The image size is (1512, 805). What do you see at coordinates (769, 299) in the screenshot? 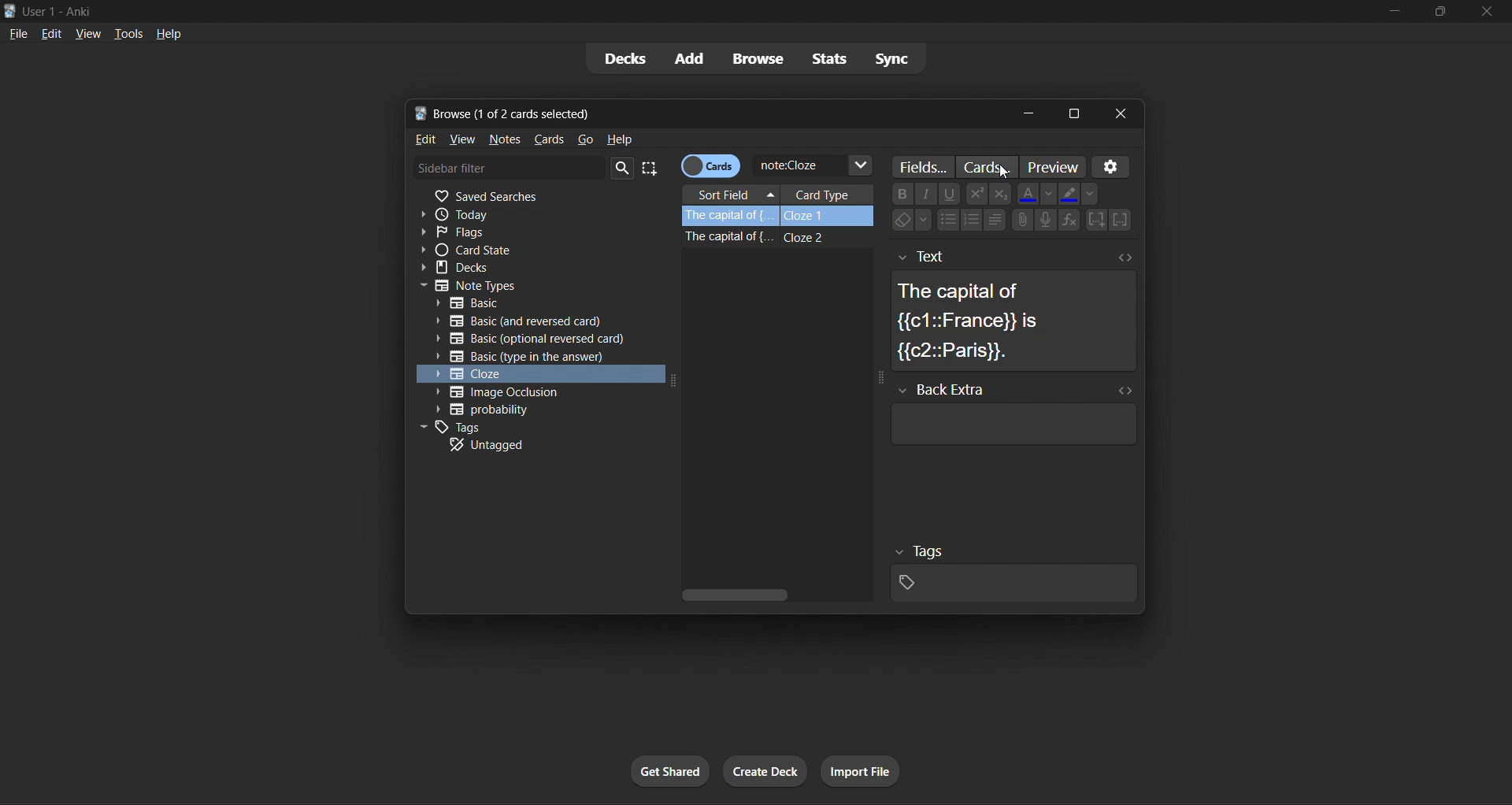
I see `cloze card date` at bounding box center [769, 299].